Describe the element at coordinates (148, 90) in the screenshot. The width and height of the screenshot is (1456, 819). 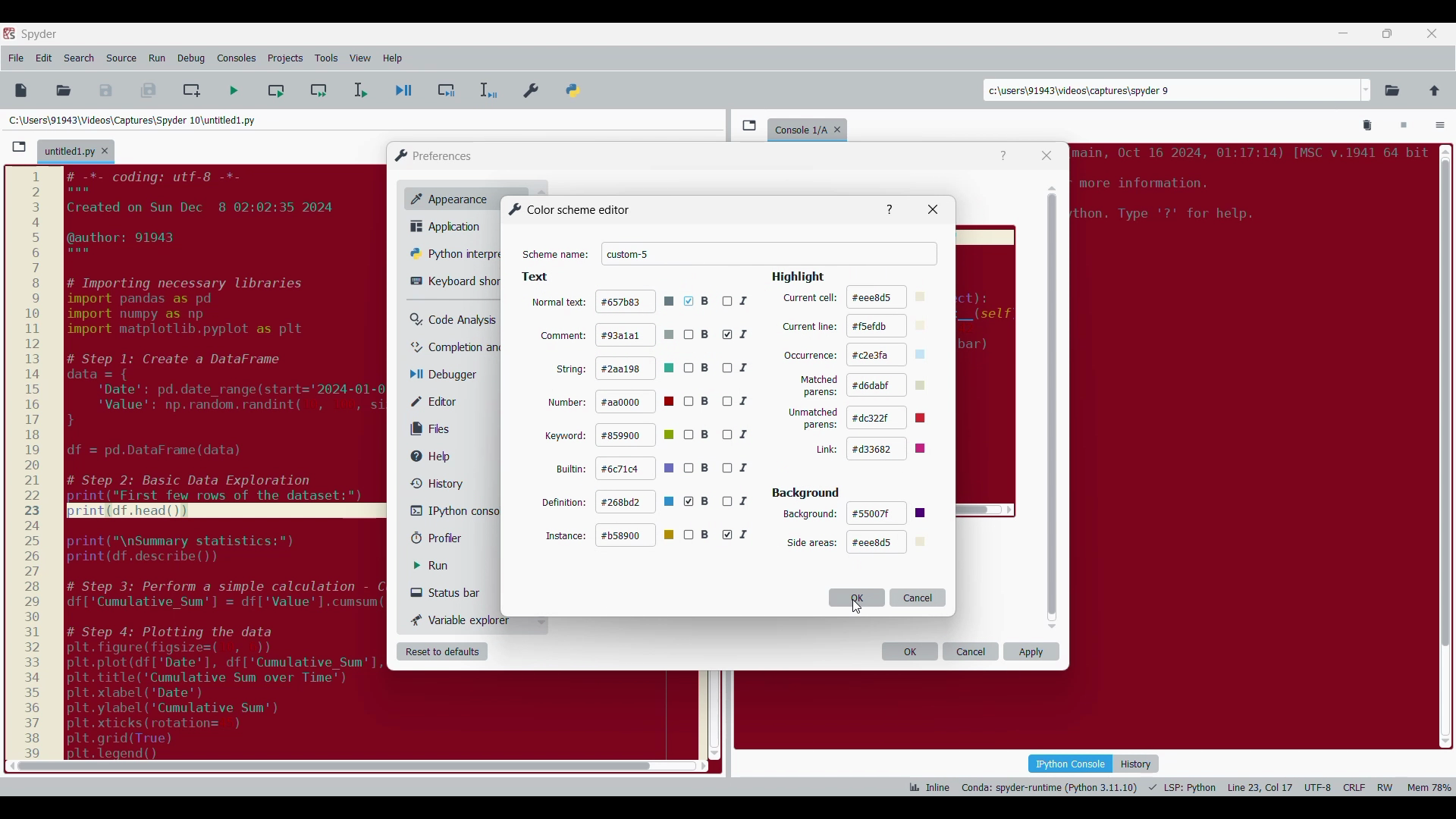
I see `Save all files` at that location.